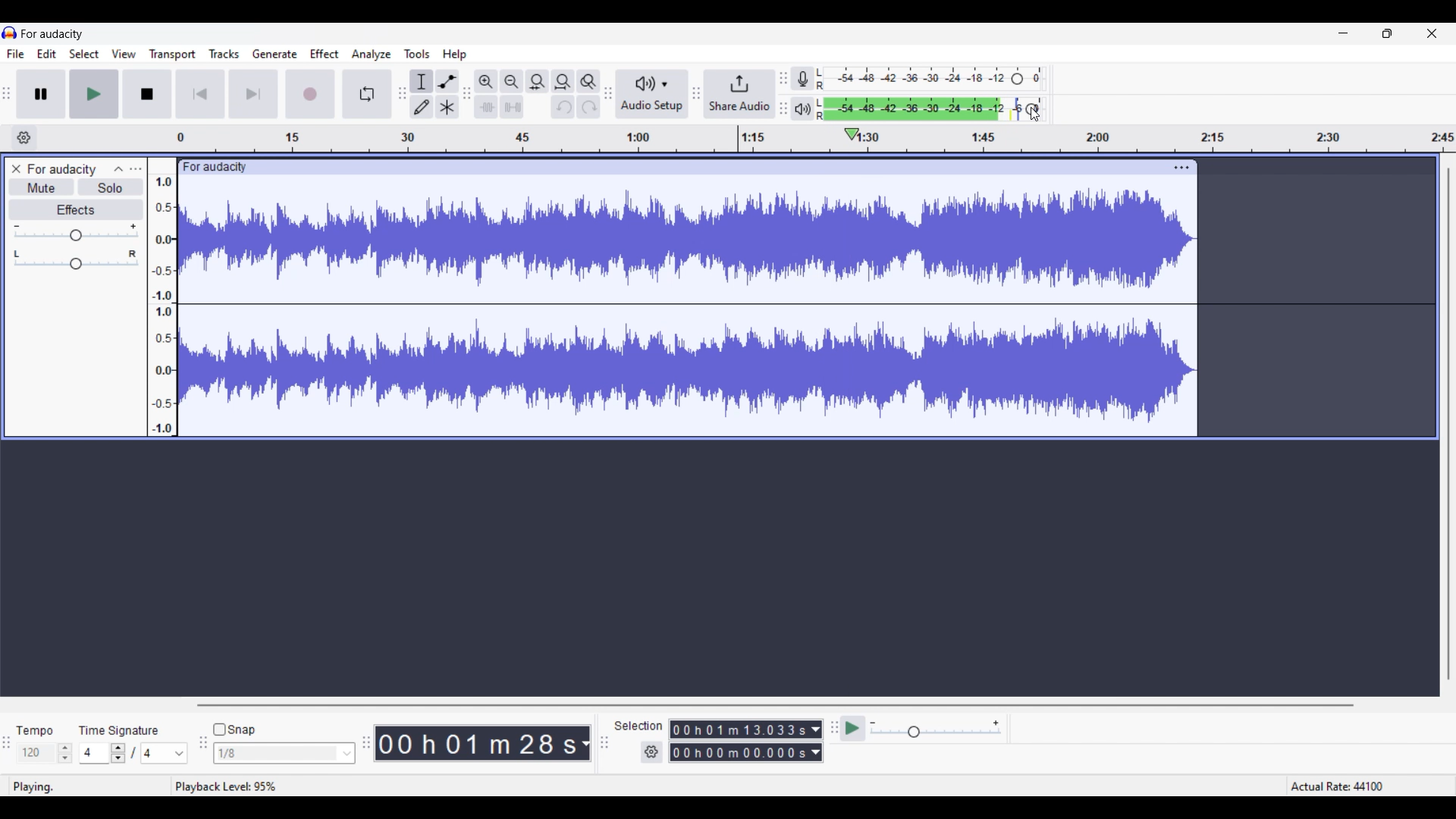 This screenshot has width=1456, height=819. I want to click on Tempo settings, so click(44, 753).